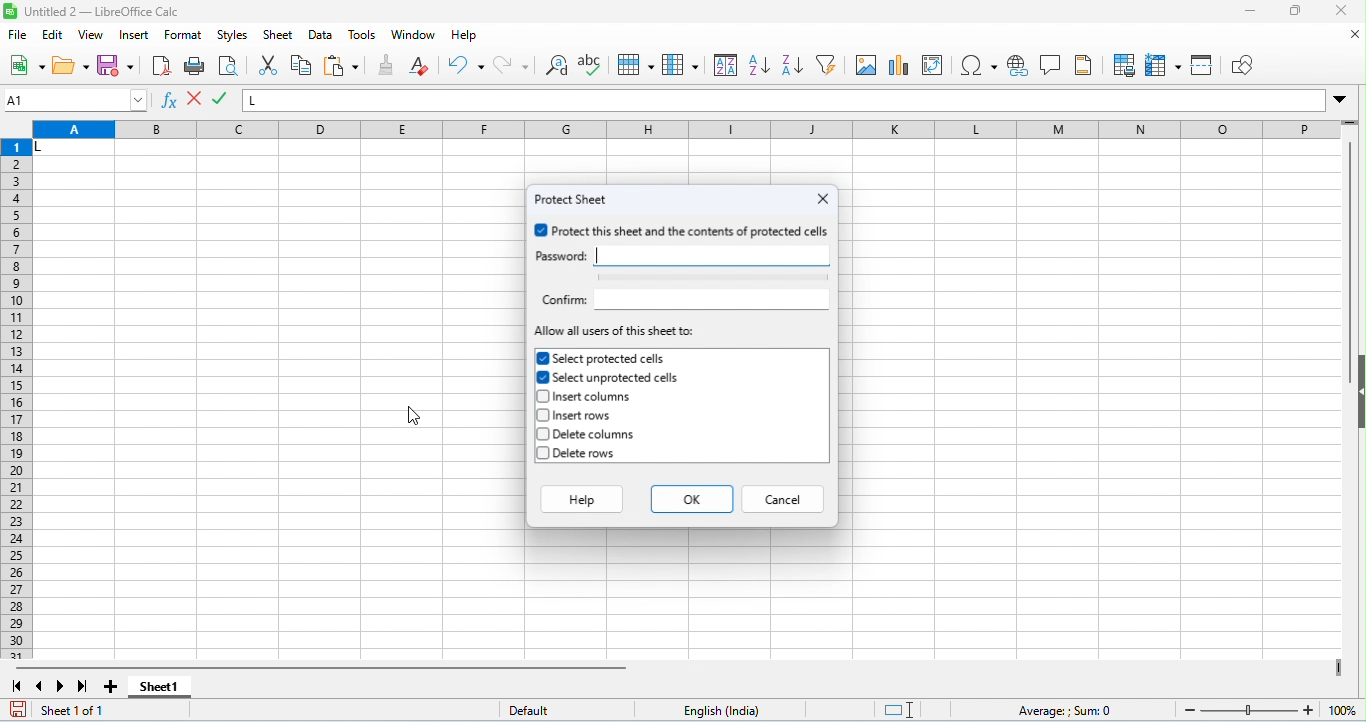  I want to click on password, so click(559, 256).